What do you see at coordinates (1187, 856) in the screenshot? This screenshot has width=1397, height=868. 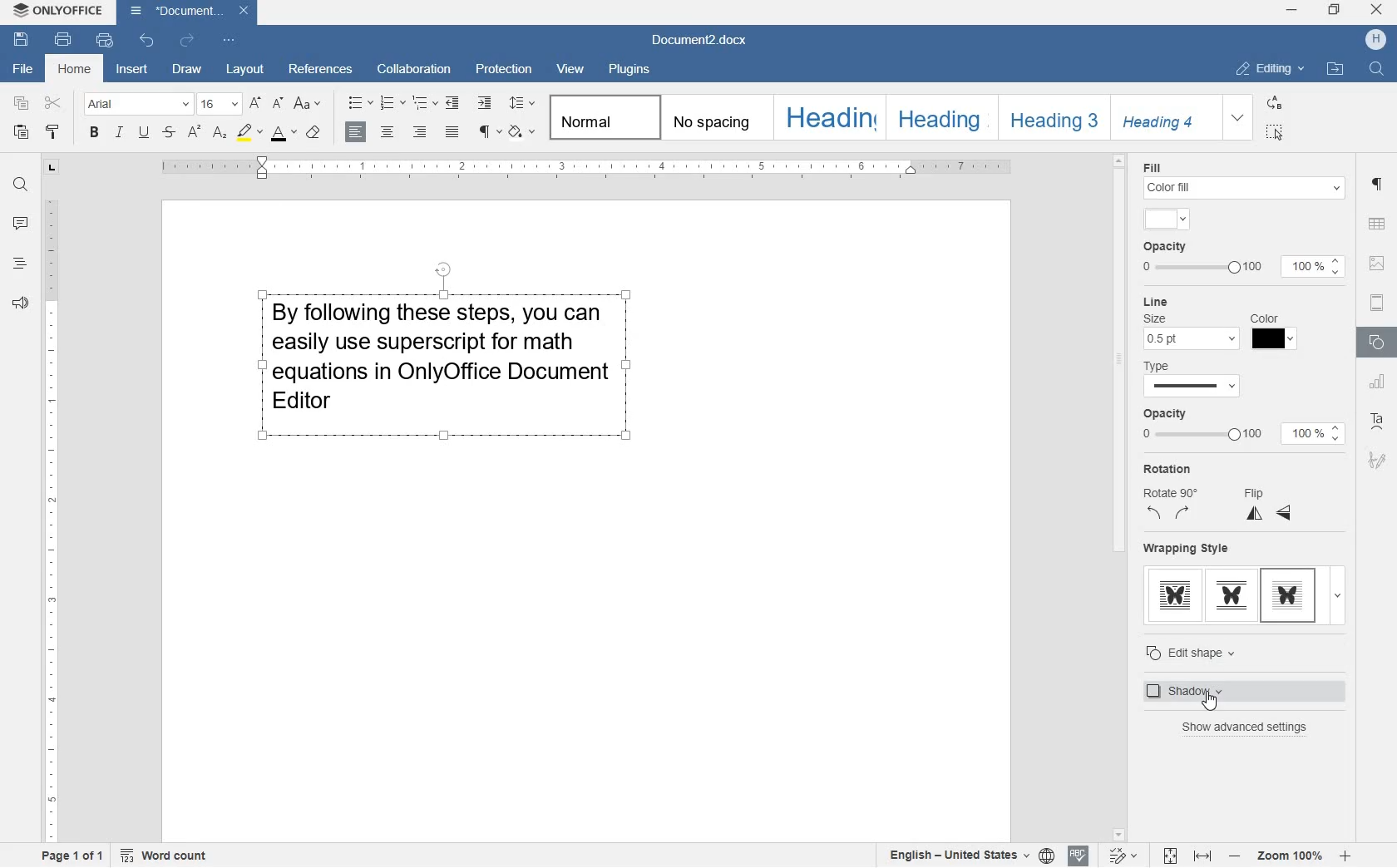 I see `fit to page or width` at bounding box center [1187, 856].